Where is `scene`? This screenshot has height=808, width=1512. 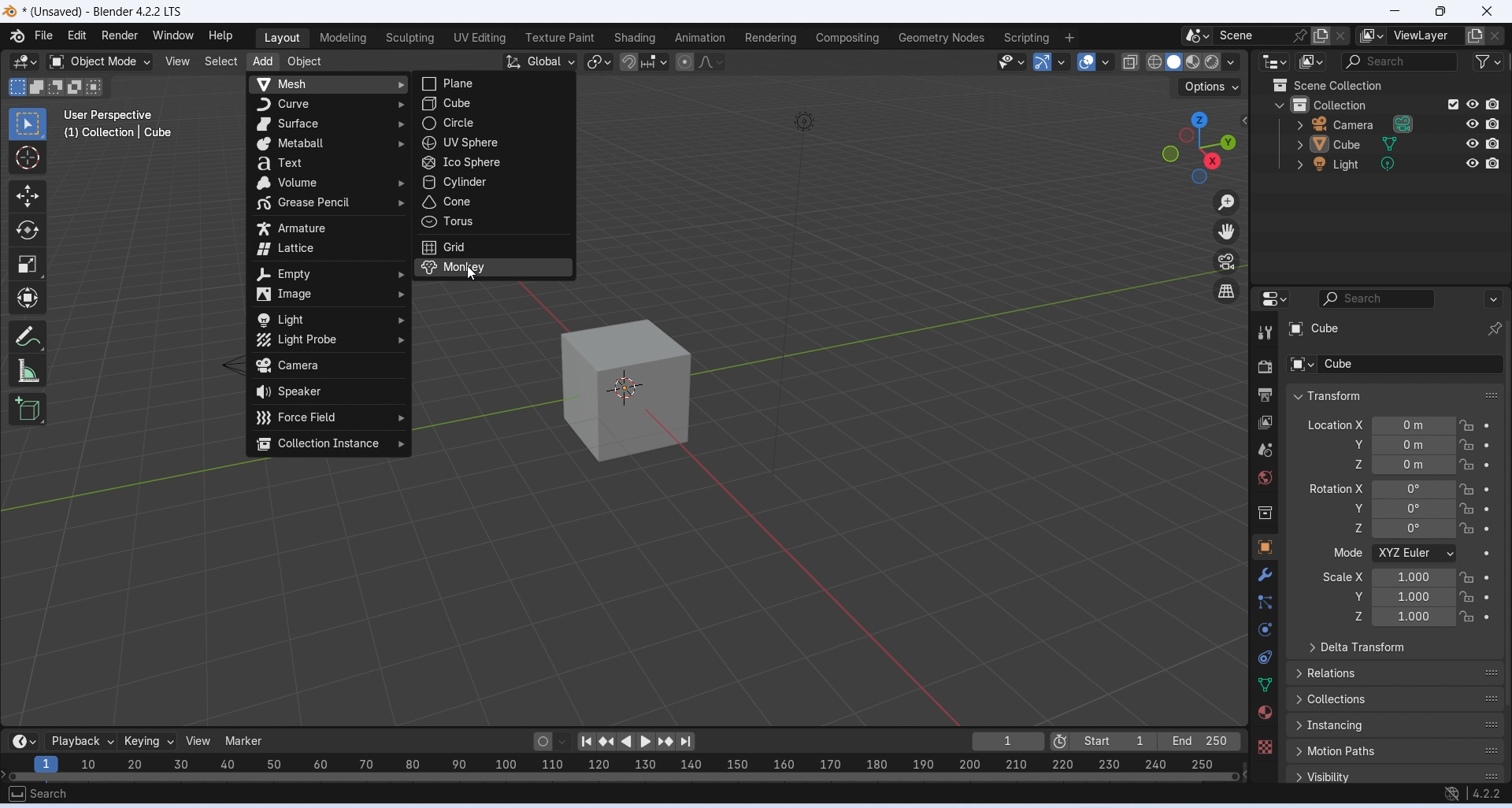
scene is located at coordinates (1265, 450).